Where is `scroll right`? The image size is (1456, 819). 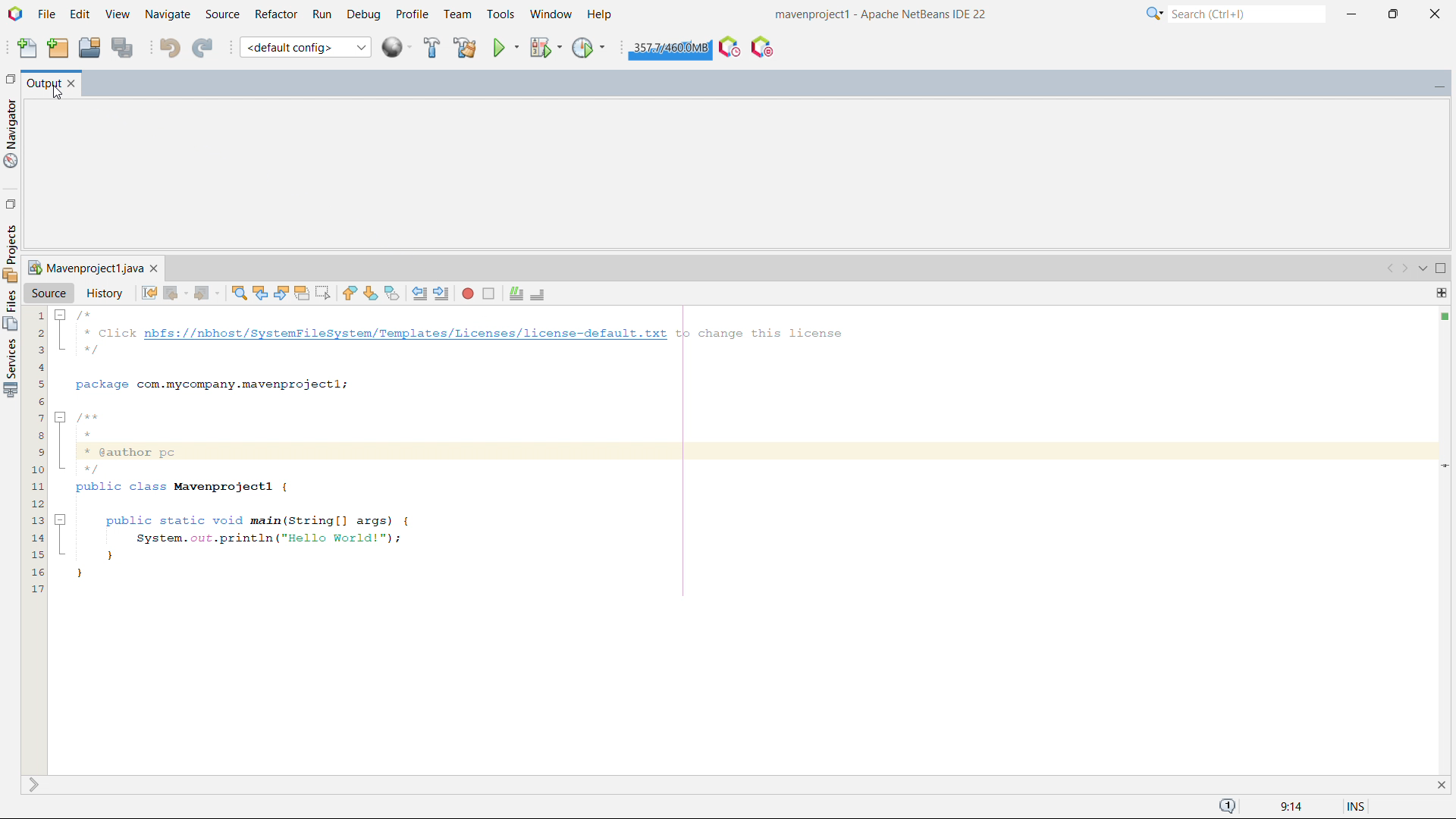
scroll right is located at coordinates (1405, 269).